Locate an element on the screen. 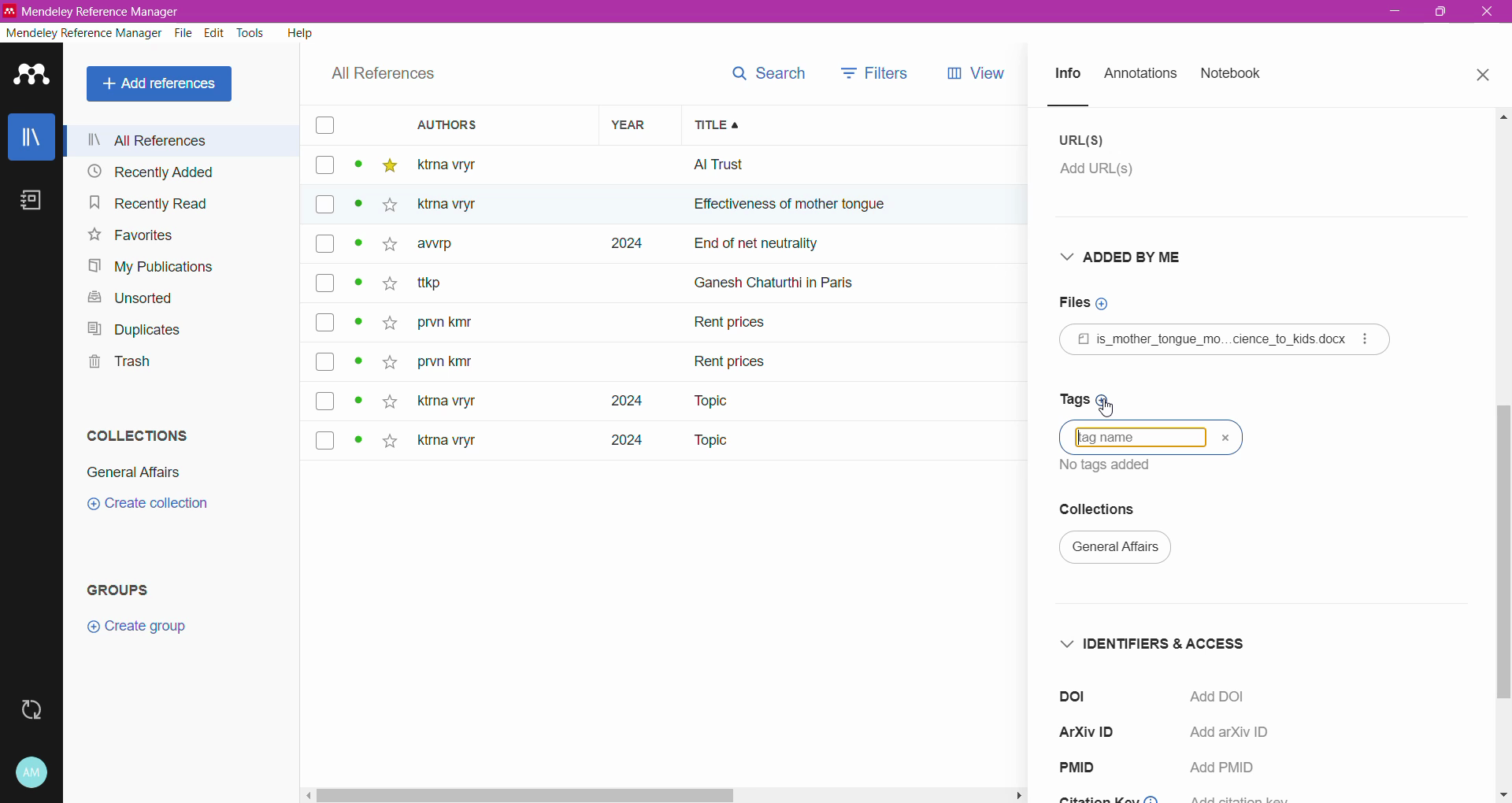 This screenshot has height=803, width=1512. PMID is located at coordinates (1083, 768).